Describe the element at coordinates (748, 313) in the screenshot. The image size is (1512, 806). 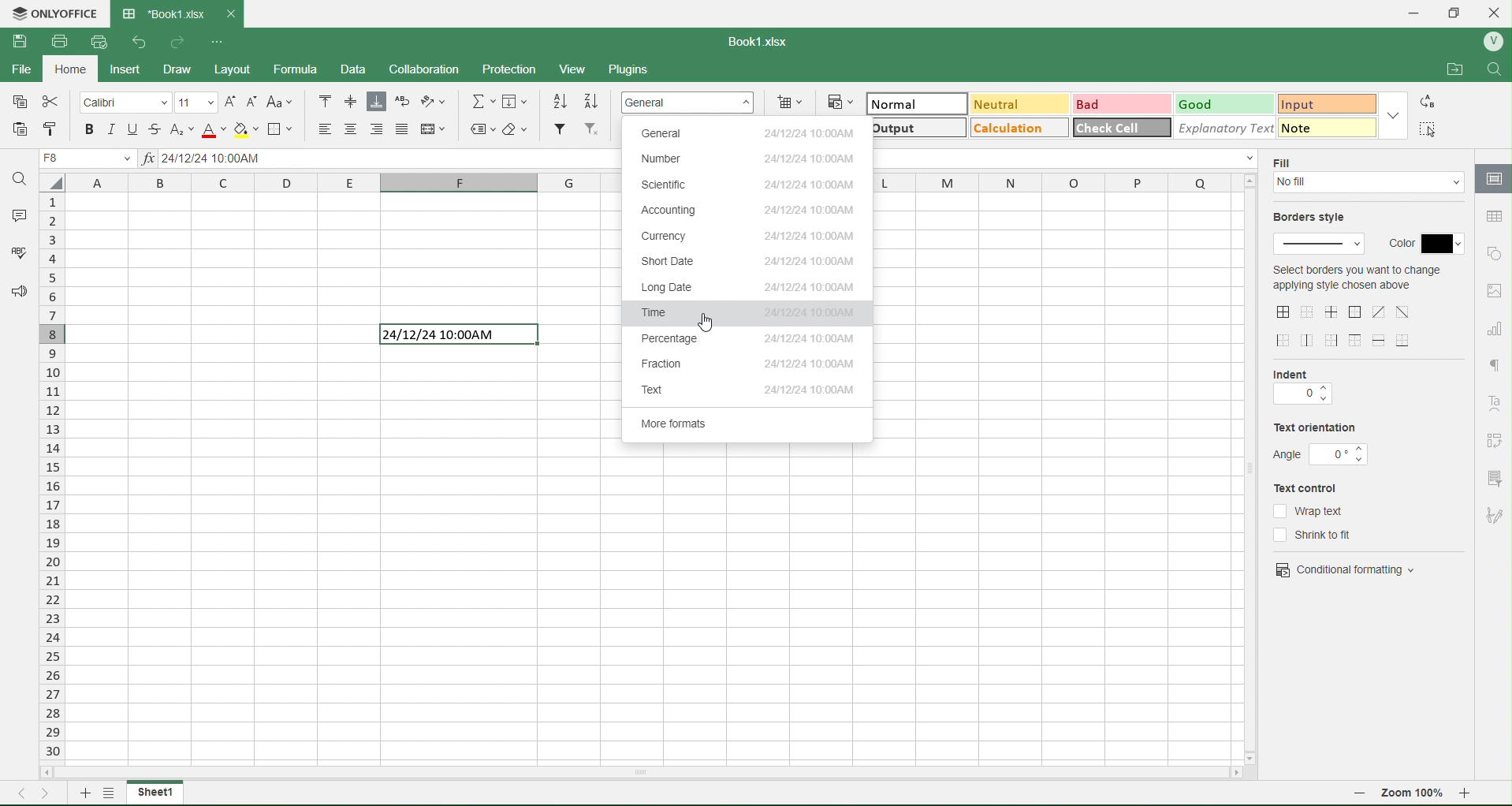
I see `Time` at that location.